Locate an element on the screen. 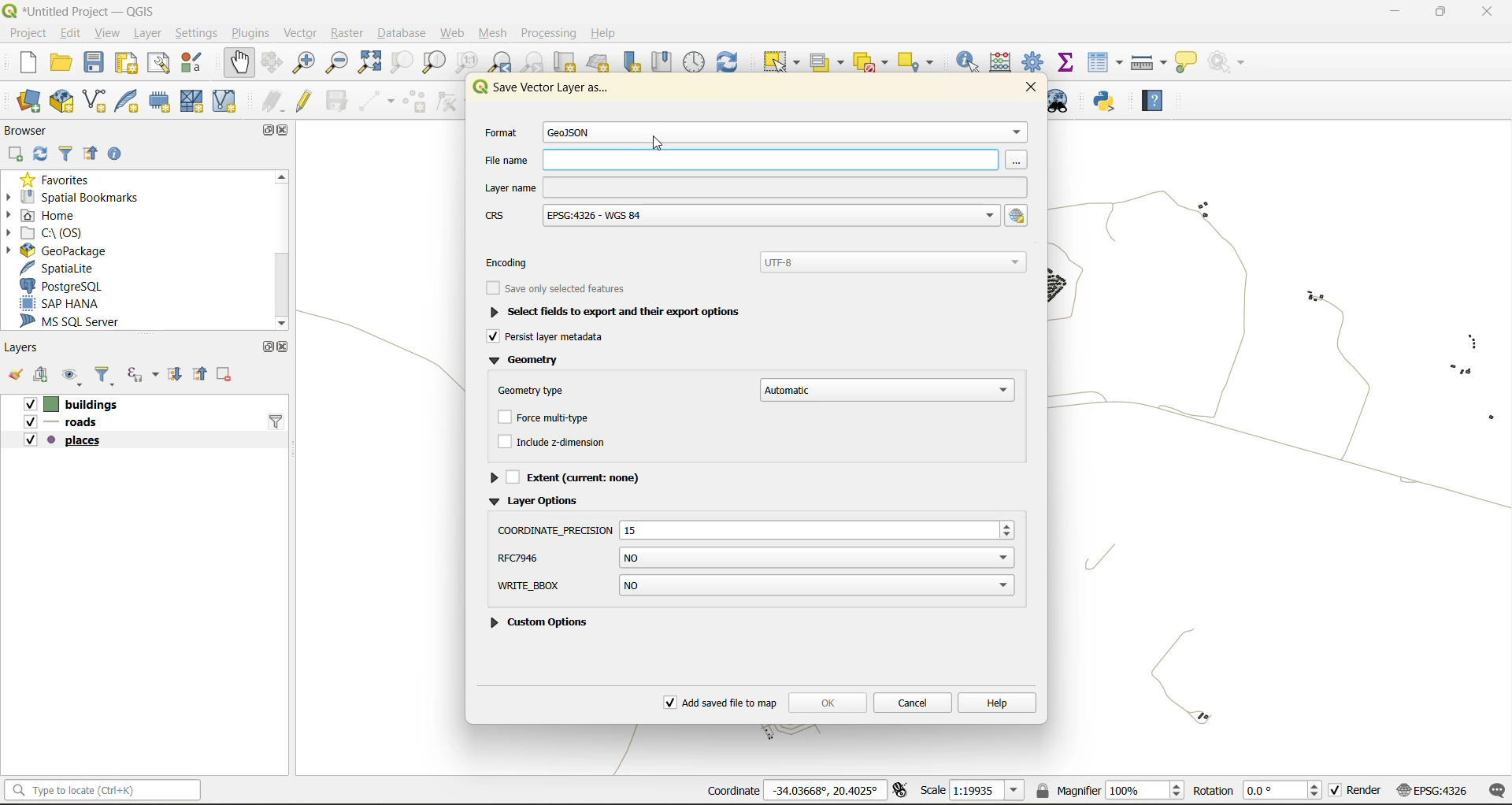 The height and width of the screenshot is (805, 1512). layer is located at coordinates (147, 33).